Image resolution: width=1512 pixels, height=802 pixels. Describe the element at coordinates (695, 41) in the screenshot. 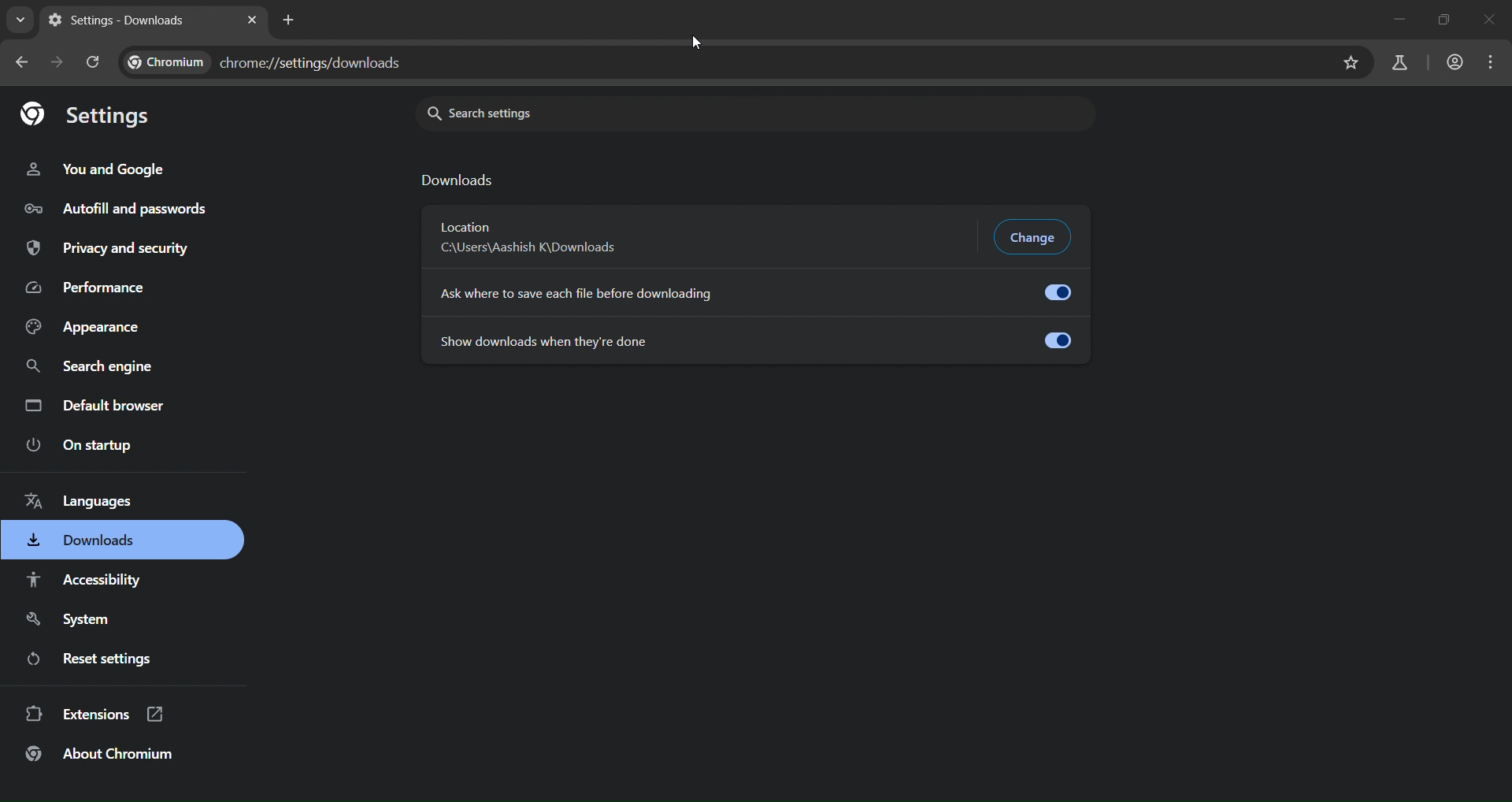

I see `cursor` at that location.